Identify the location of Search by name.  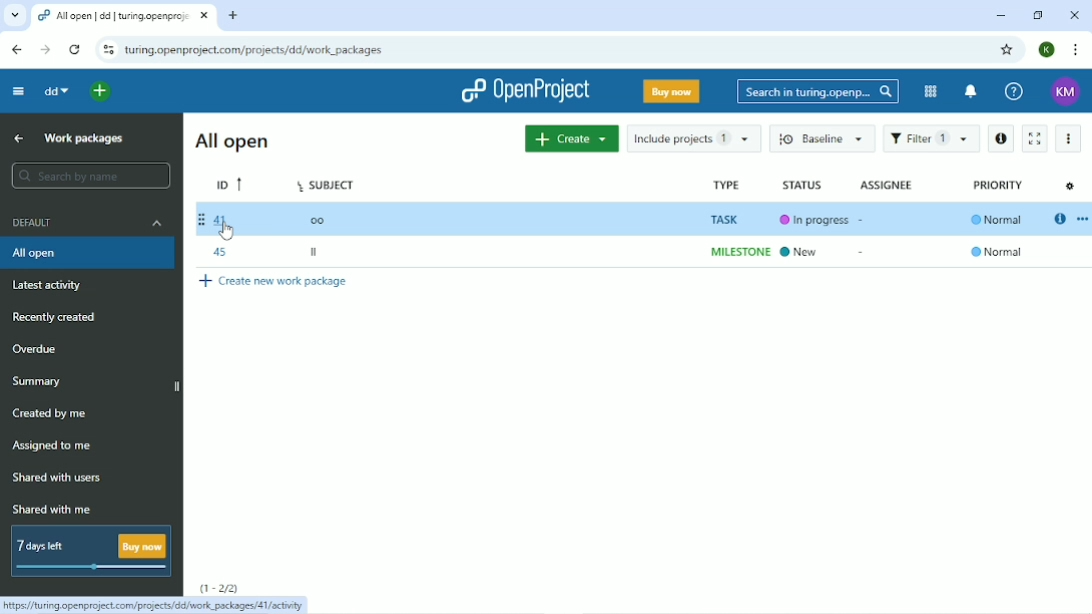
(89, 176).